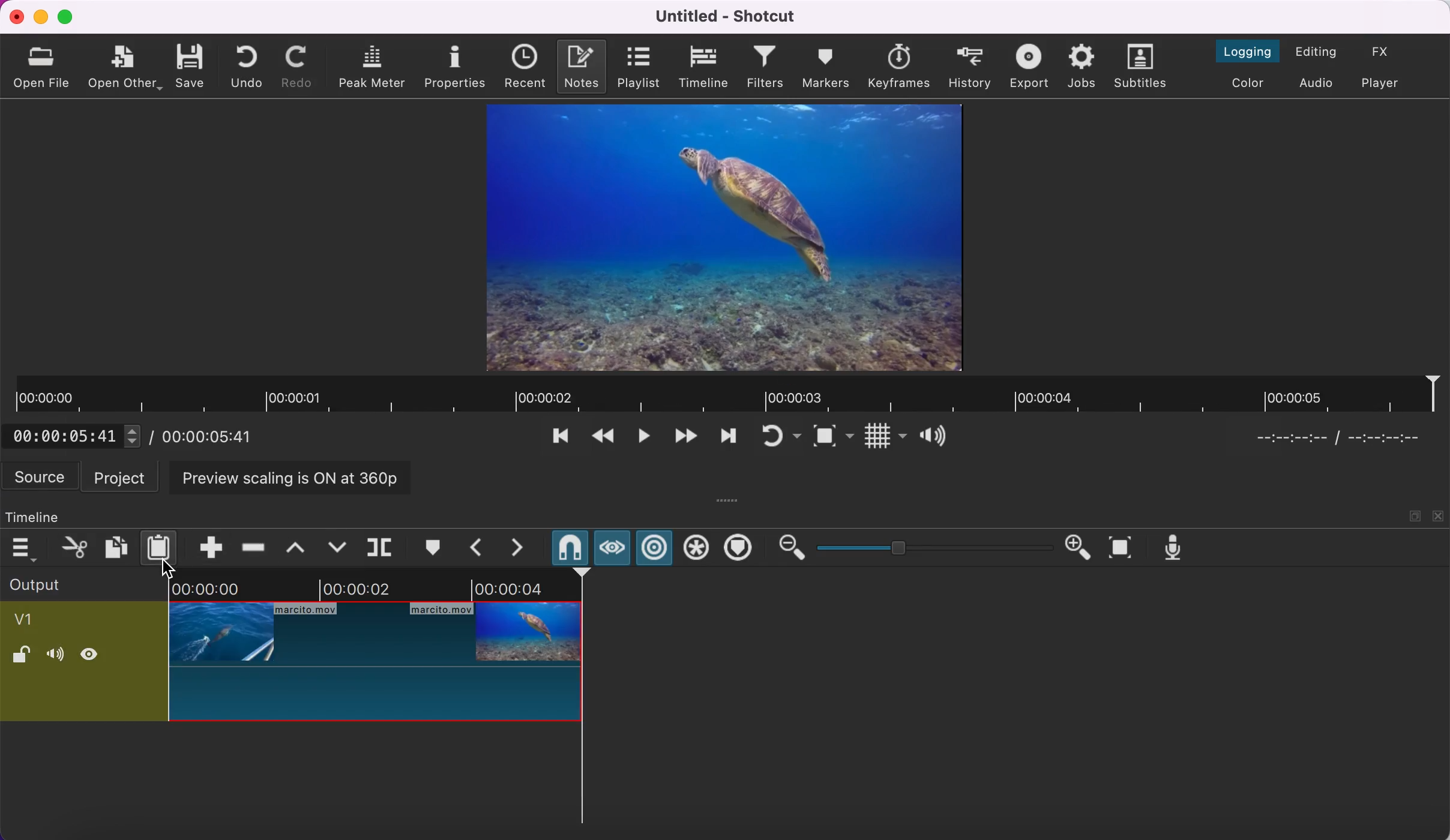 Image resolution: width=1450 pixels, height=840 pixels. What do you see at coordinates (901, 65) in the screenshot?
I see `keyframes` at bounding box center [901, 65].